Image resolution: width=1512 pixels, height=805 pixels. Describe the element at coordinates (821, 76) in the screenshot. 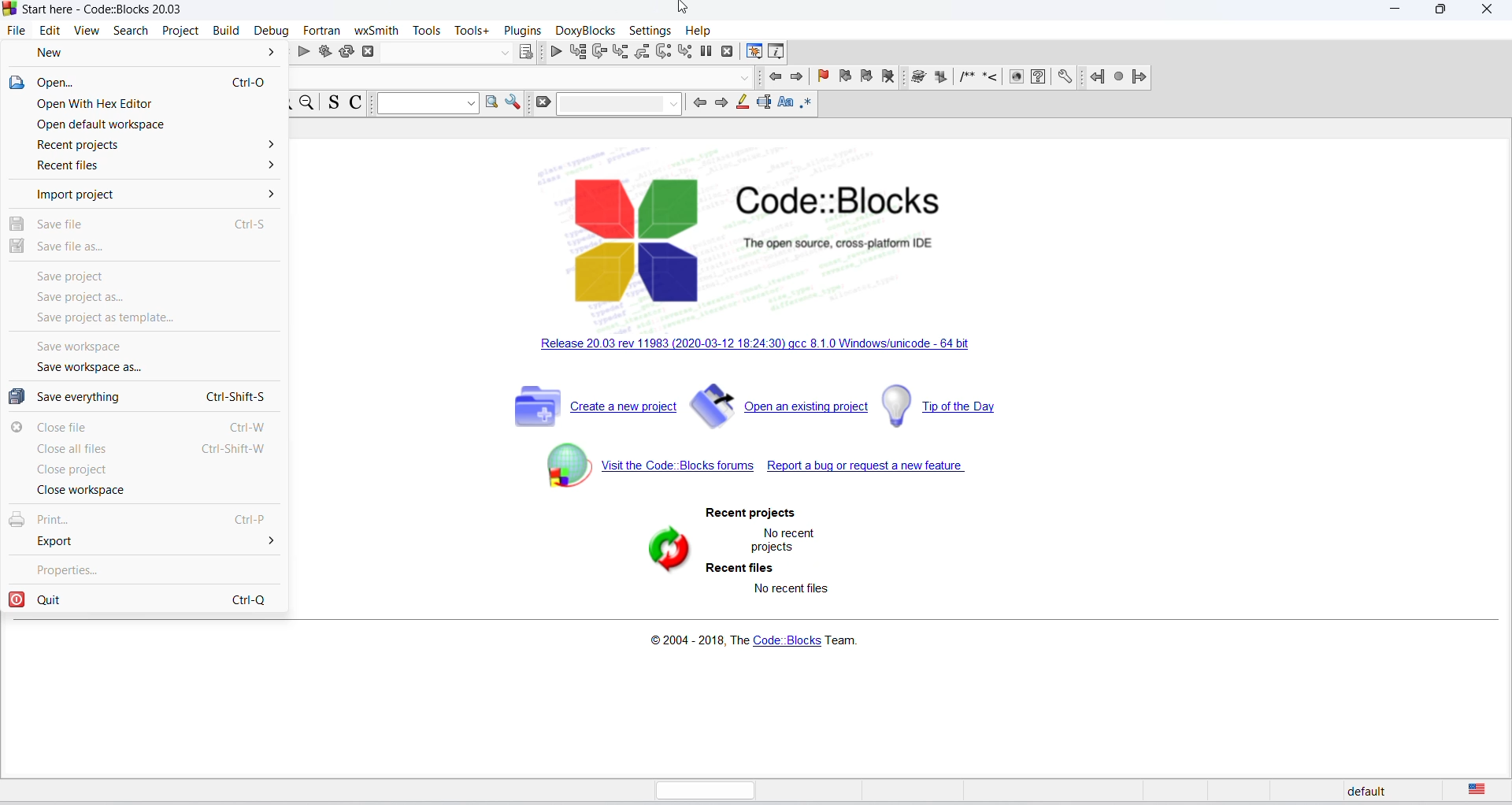

I see `add bookmark` at that location.